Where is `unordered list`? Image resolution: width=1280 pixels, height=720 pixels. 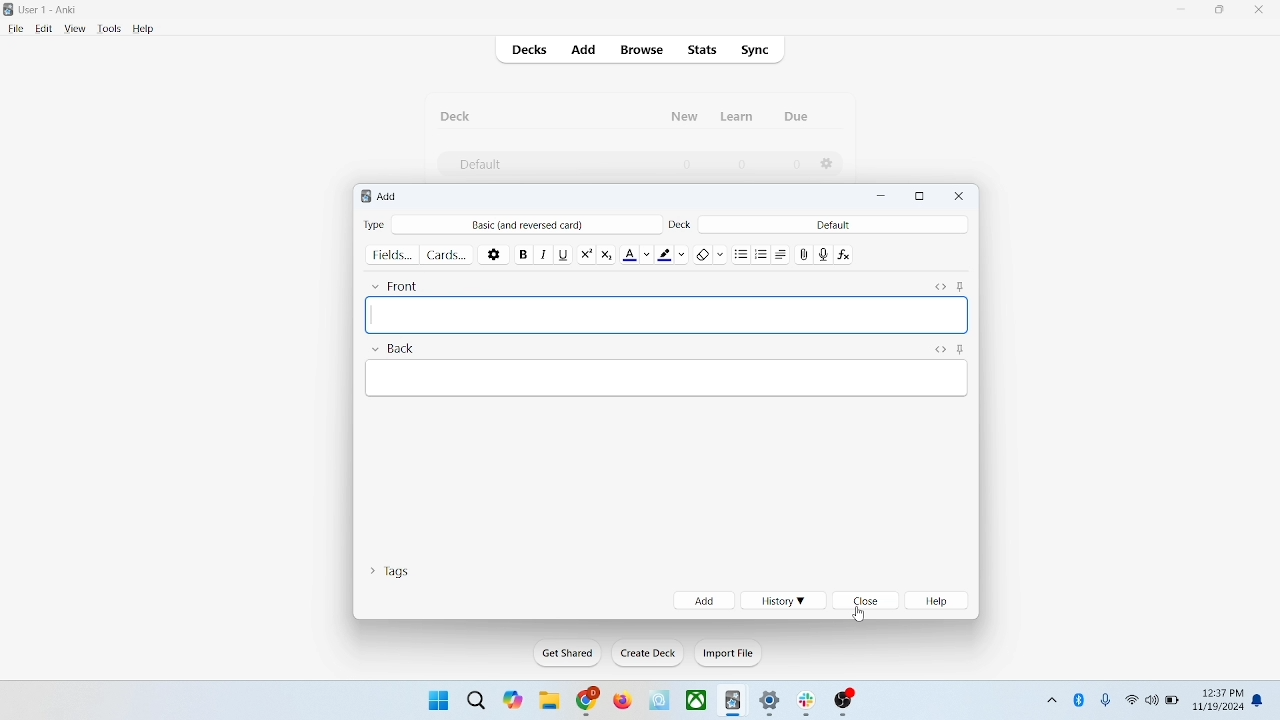 unordered list is located at coordinates (741, 253).